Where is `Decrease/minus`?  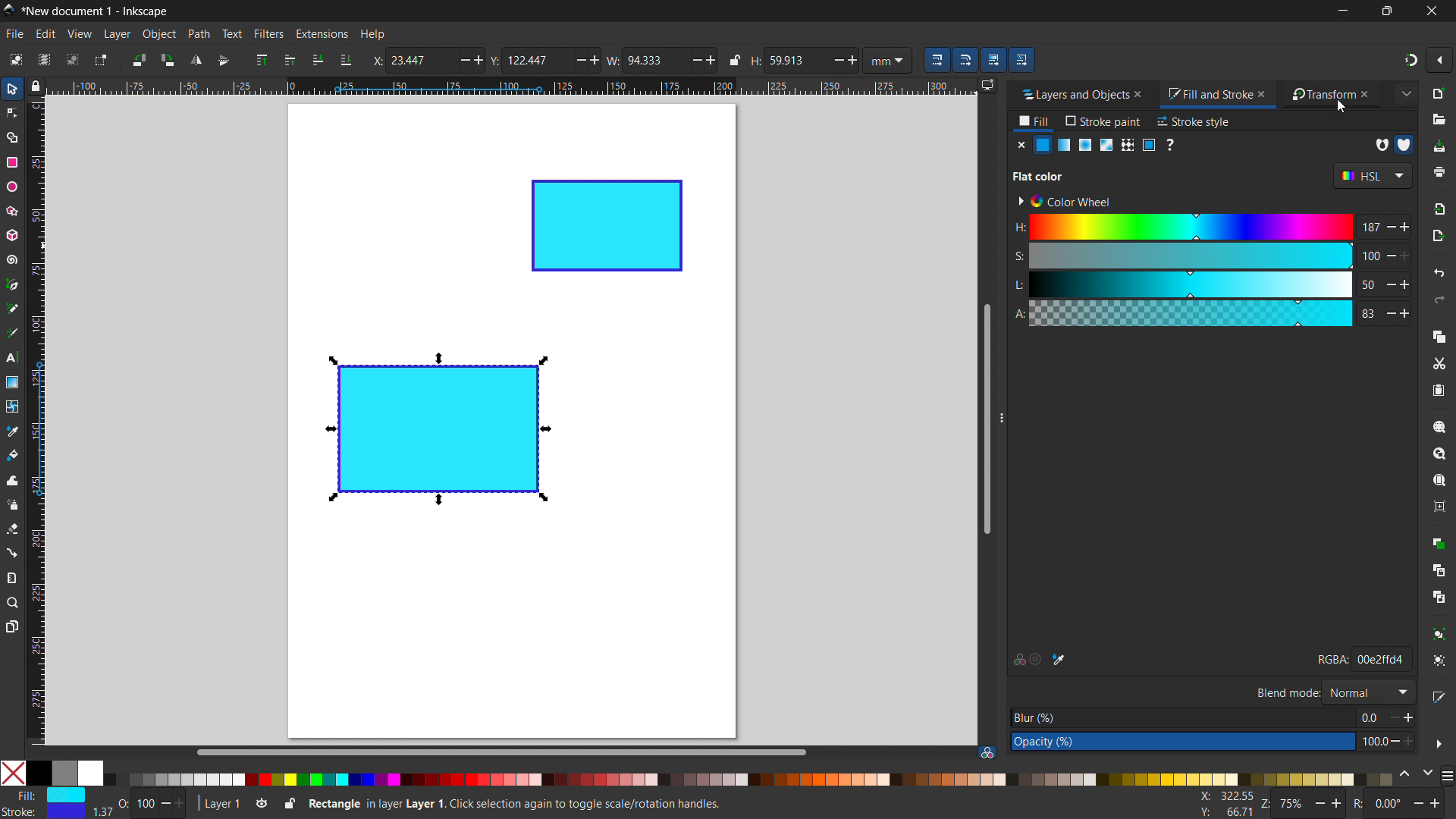
Decrease/minus is located at coordinates (691, 59).